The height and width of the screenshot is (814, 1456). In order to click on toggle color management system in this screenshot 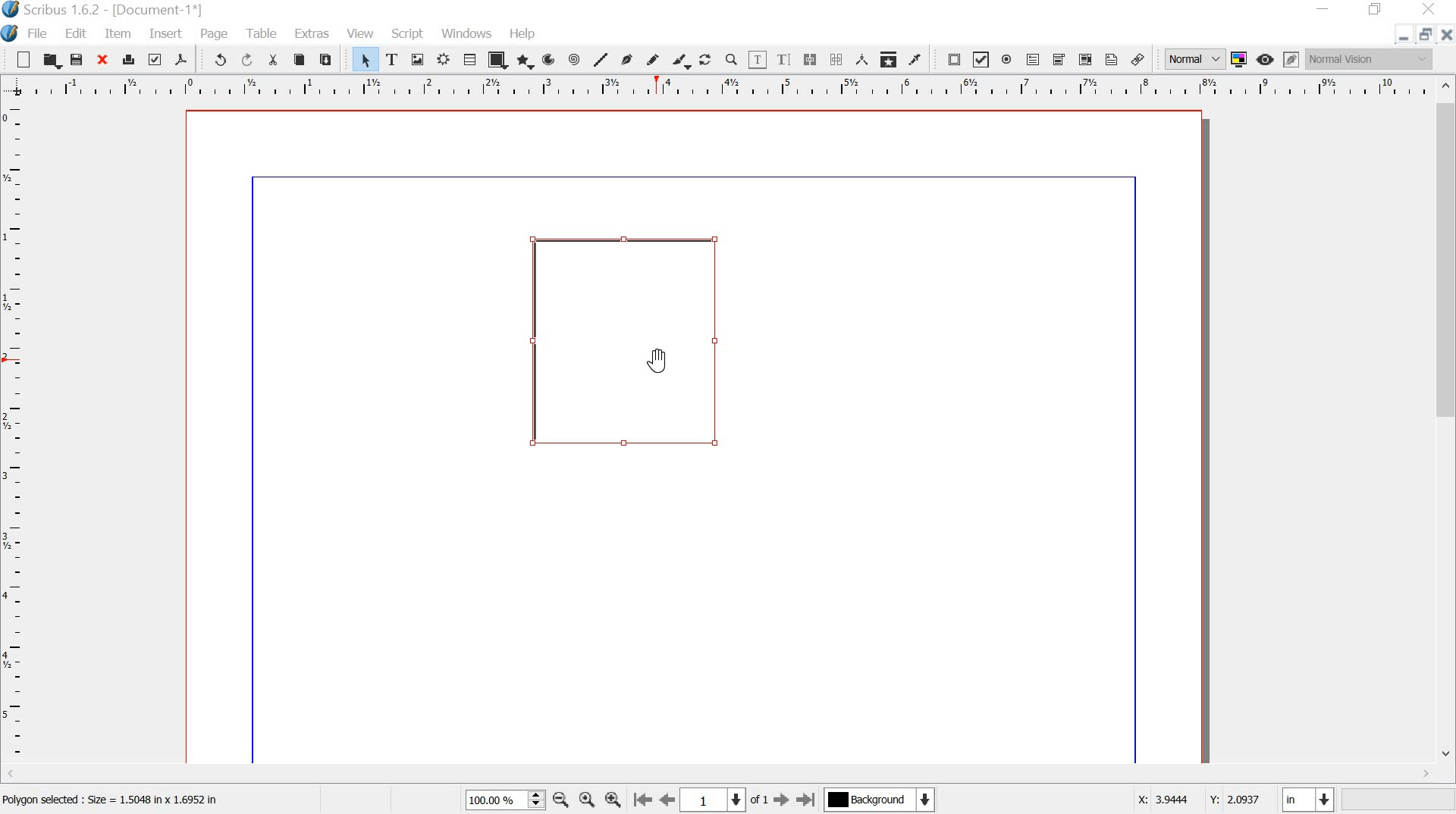, I will do `click(1241, 59)`.